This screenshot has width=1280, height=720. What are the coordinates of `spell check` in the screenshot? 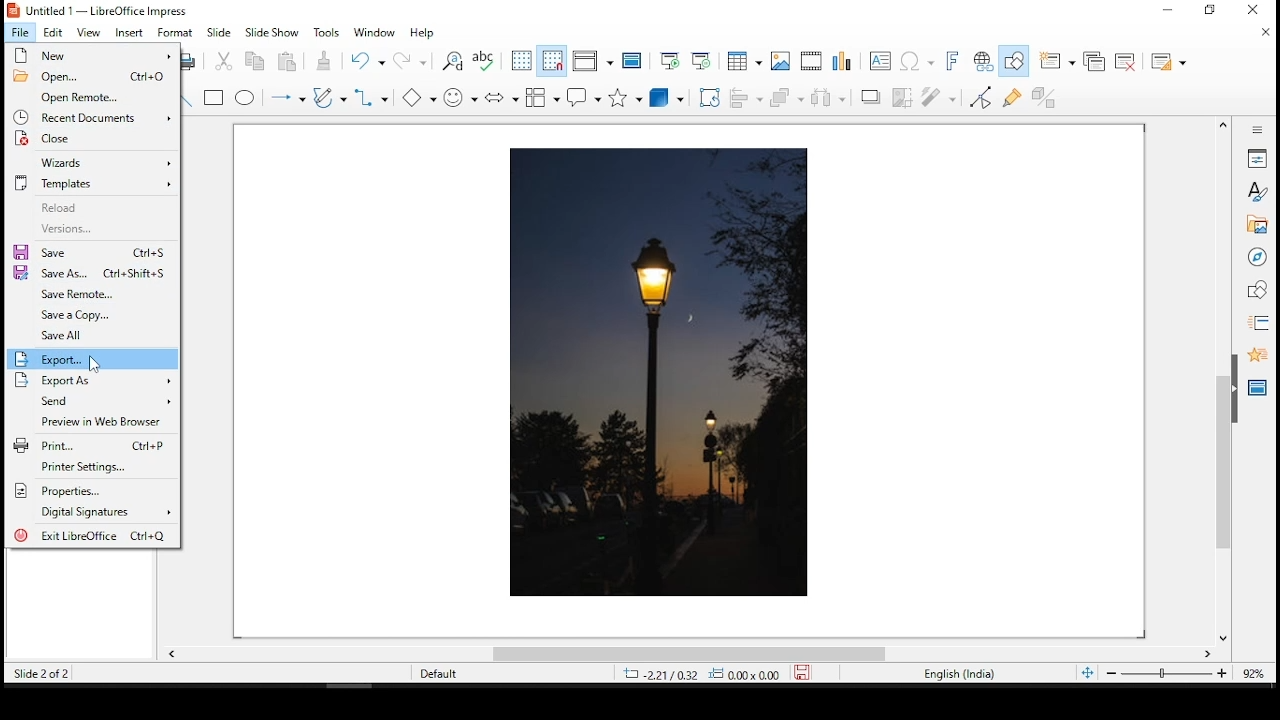 It's located at (486, 60).